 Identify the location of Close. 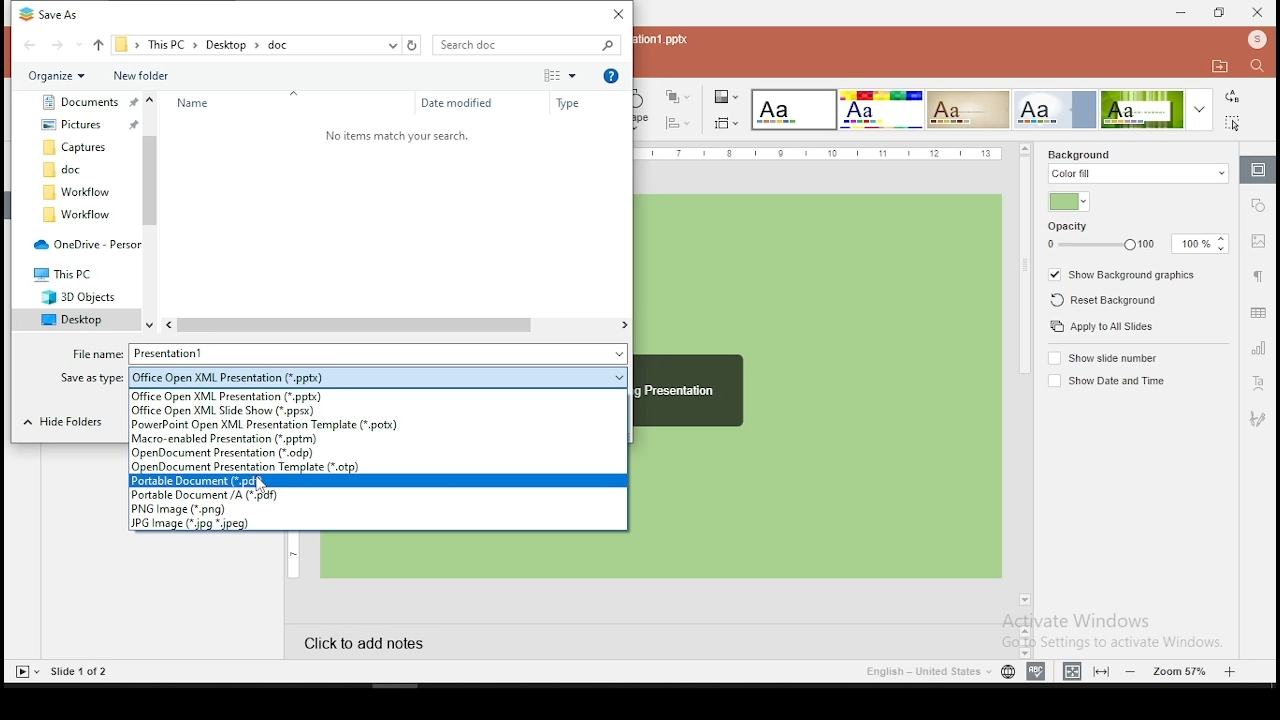
(1259, 12).